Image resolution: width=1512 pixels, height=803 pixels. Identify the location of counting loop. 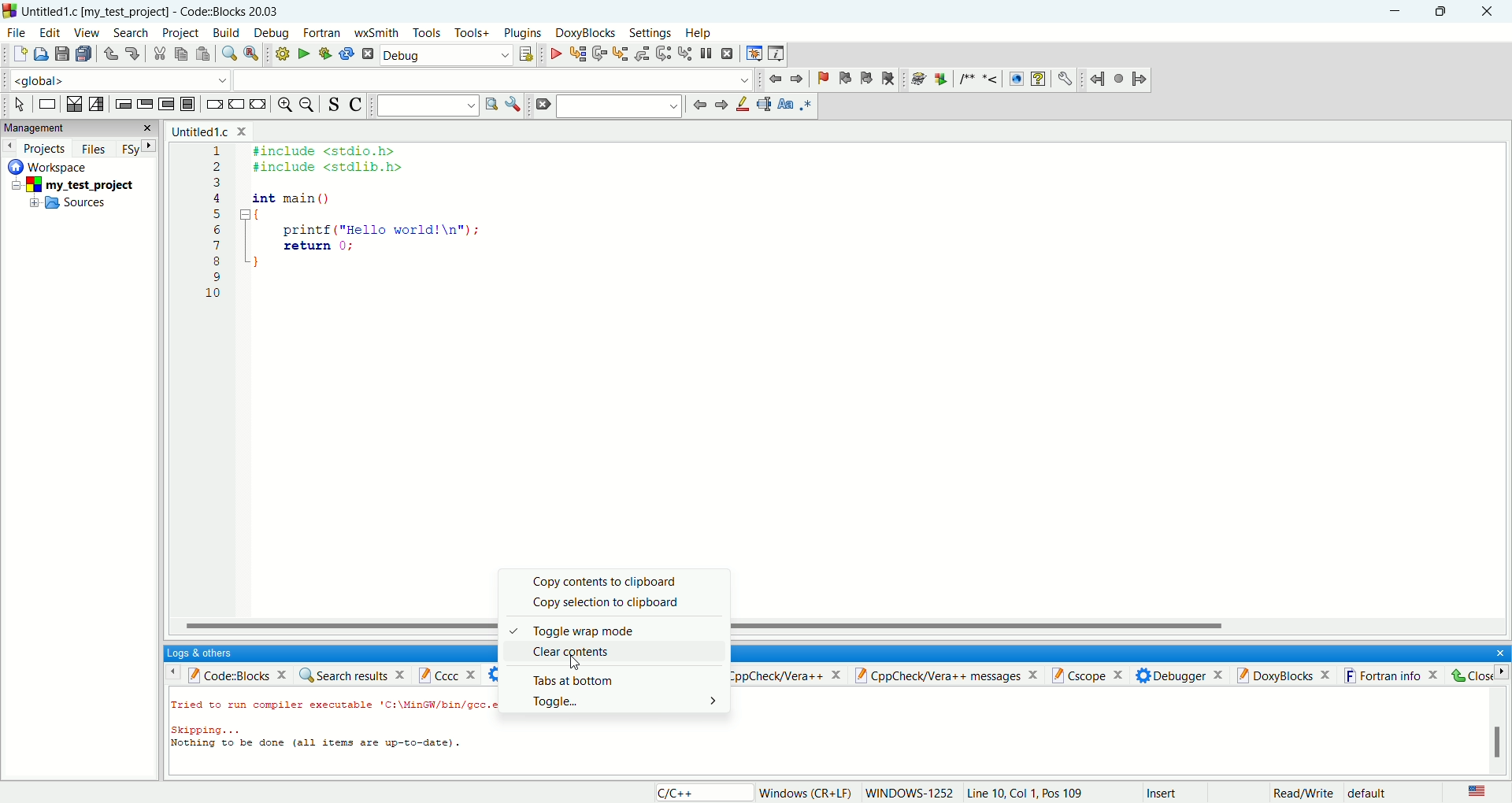
(169, 105).